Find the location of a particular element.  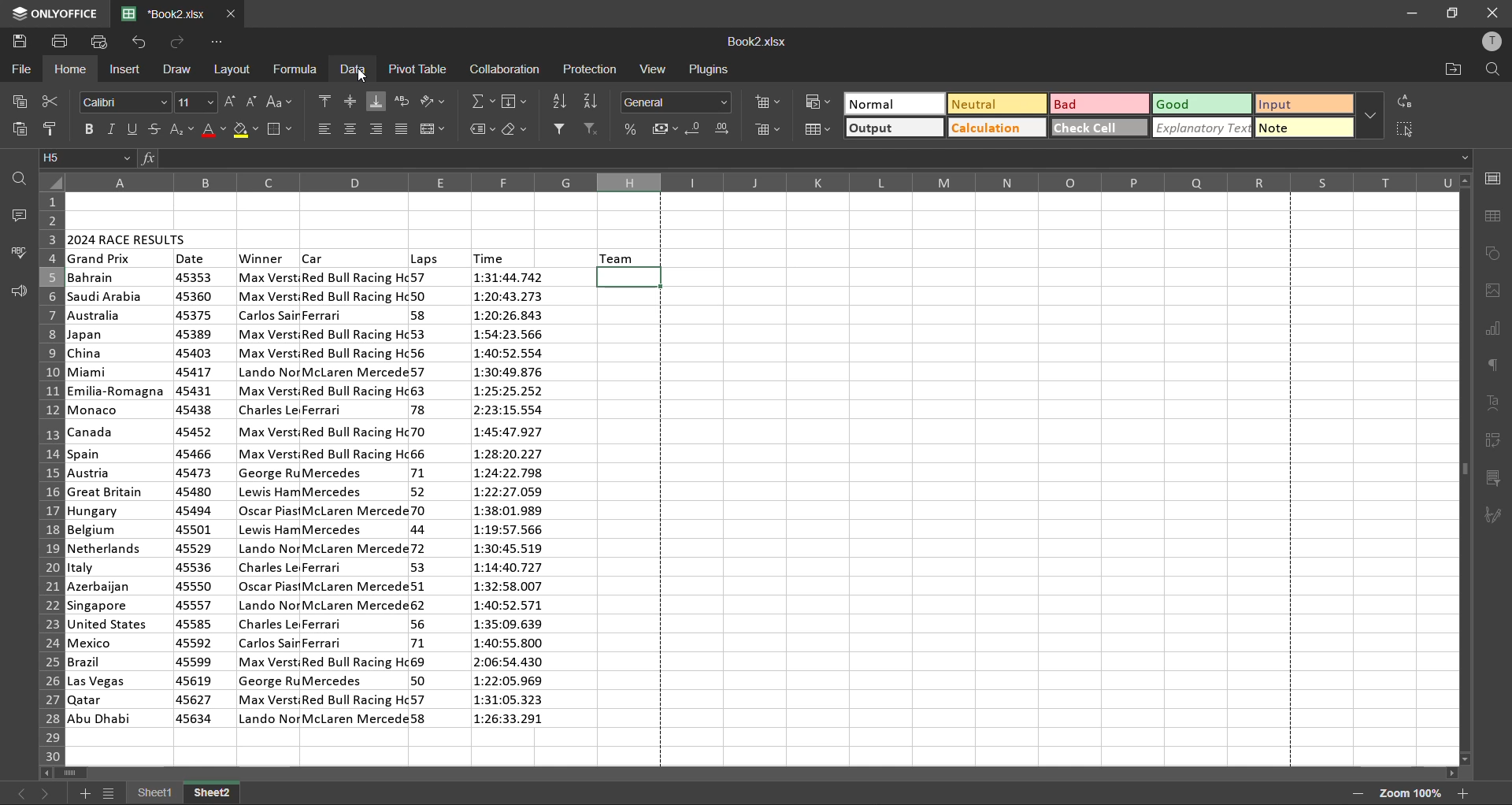

scrollbar is located at coordinates (1465, 469).